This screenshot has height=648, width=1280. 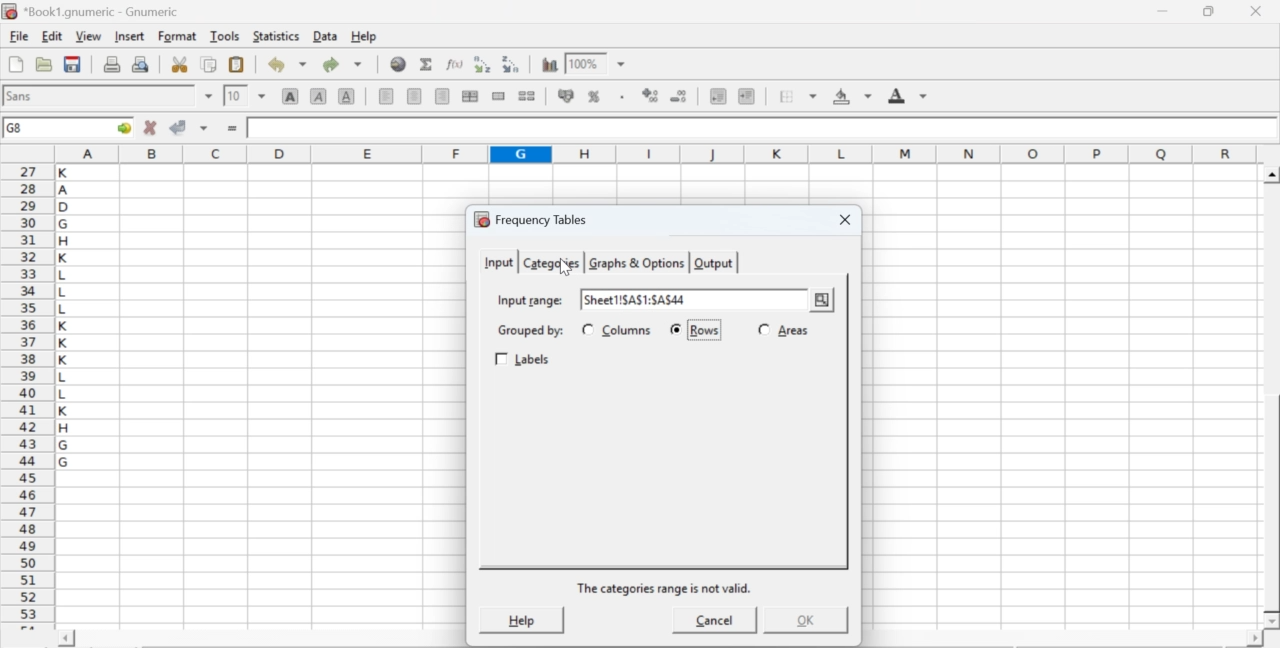 I want to click on frequency tables, so click(x=531, y=219).